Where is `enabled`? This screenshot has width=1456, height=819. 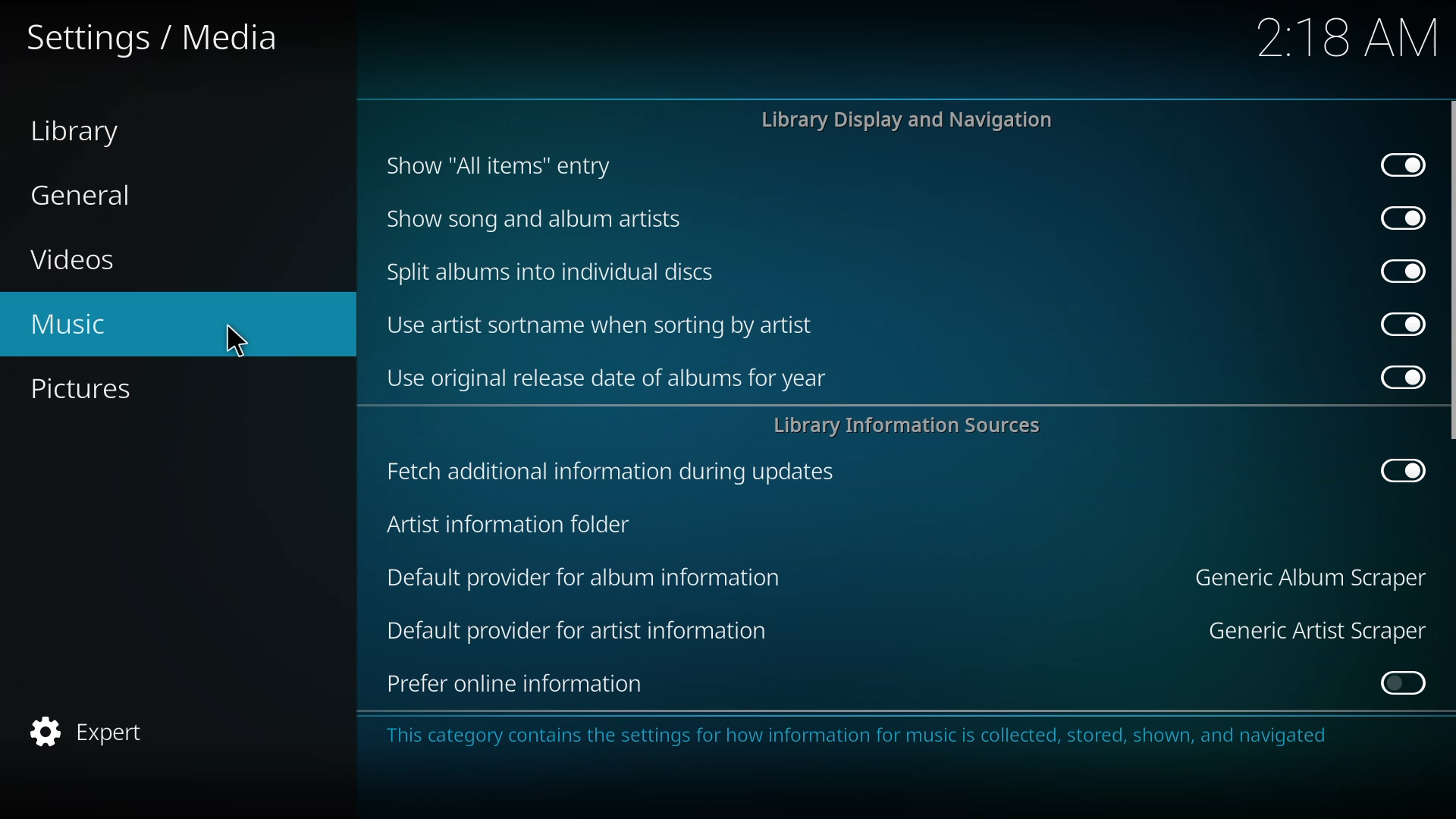
enabled is located at coordinates (1401, 165).